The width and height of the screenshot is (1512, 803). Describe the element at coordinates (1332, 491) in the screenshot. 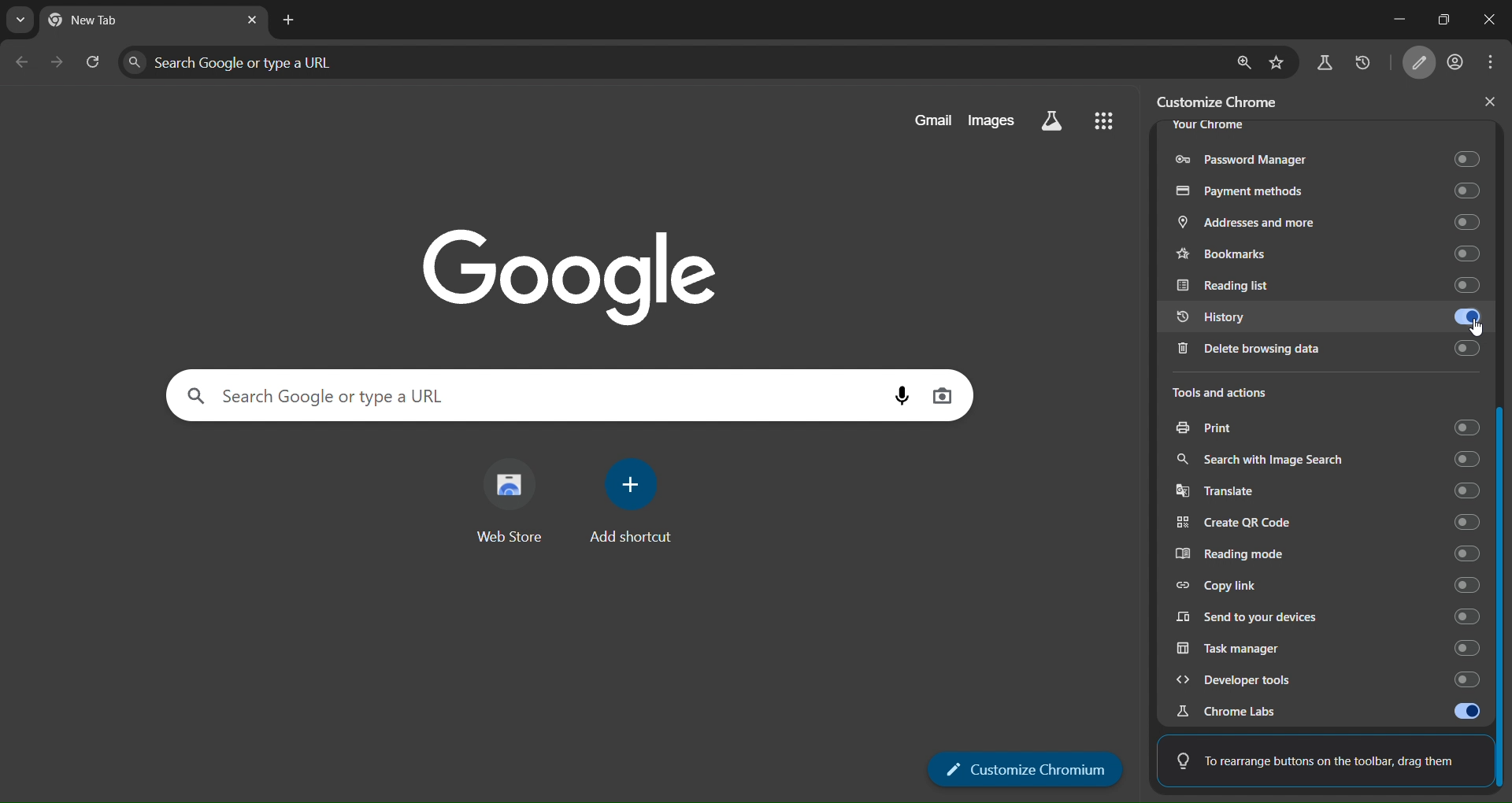

I see `translate` at that location.